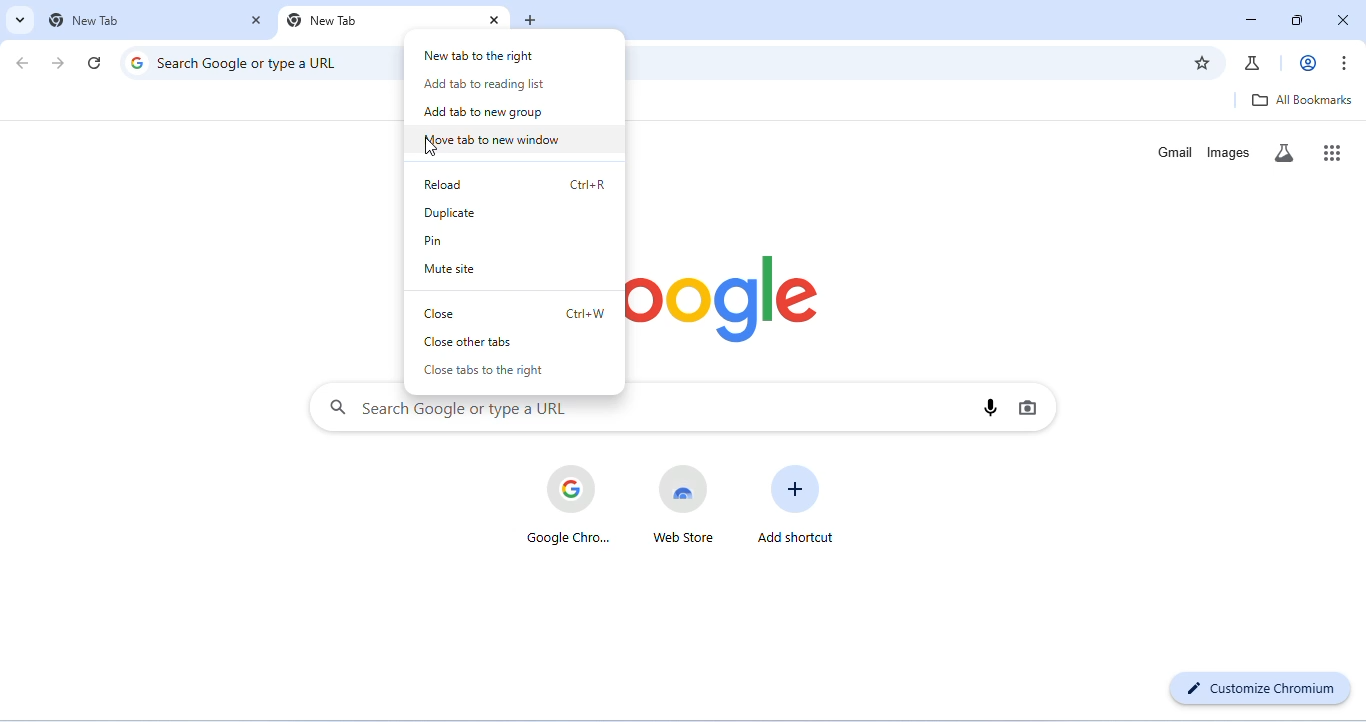 The height and width of the screenshot is (722, 1366). I want to click on close other tabs, so click(507, 342).